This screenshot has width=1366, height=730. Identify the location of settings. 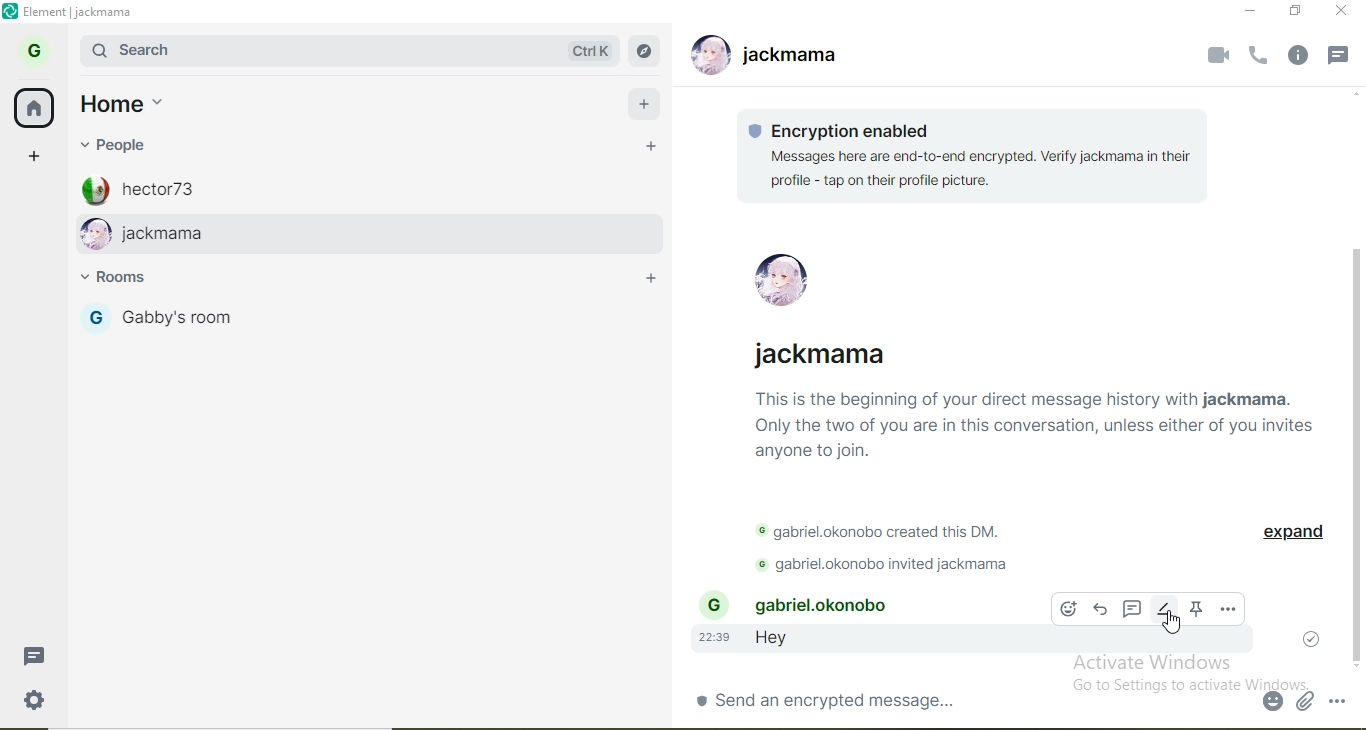
(31, 698).